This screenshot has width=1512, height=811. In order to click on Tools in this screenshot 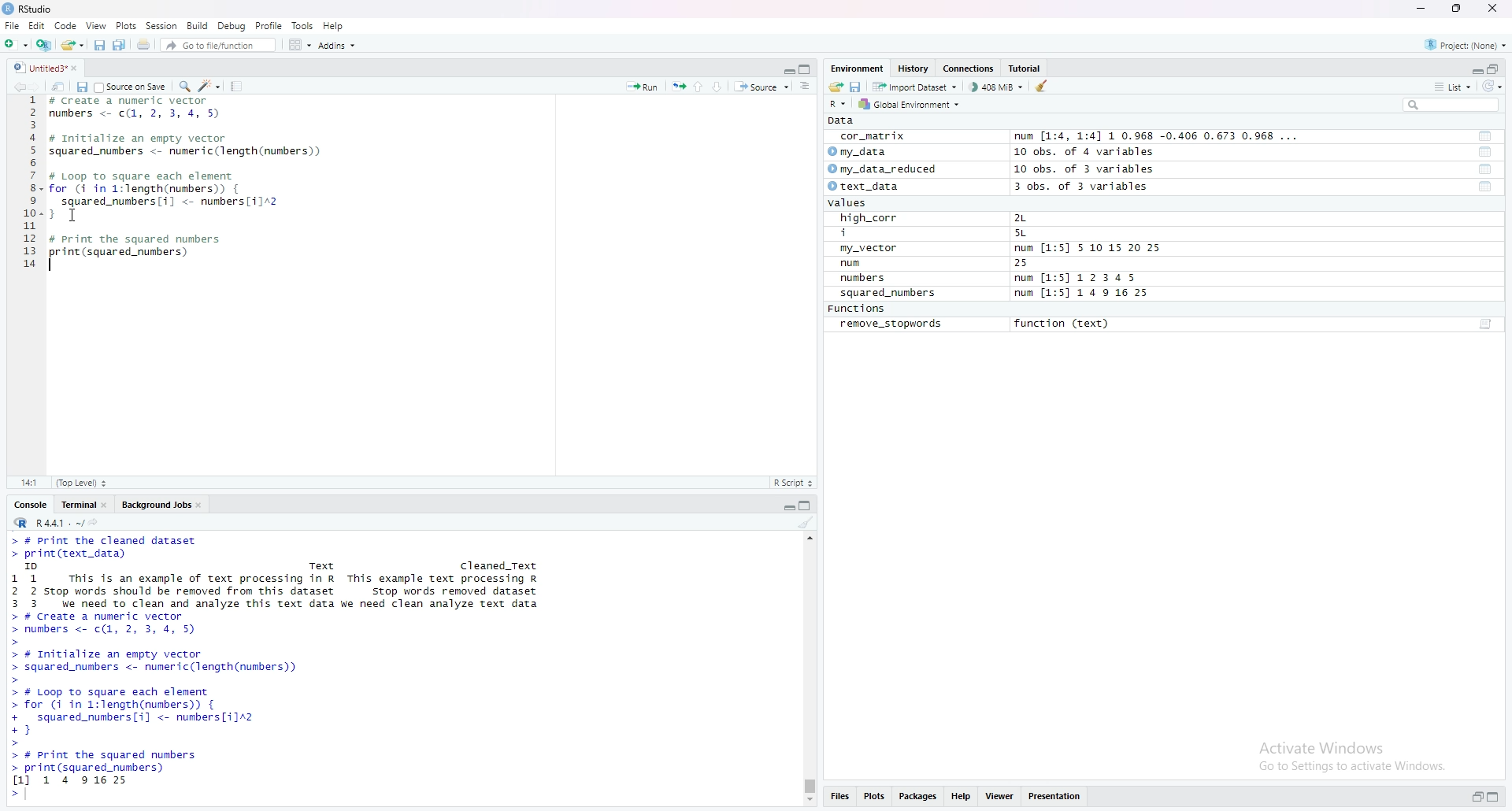, I will do `click(303, 25)`.